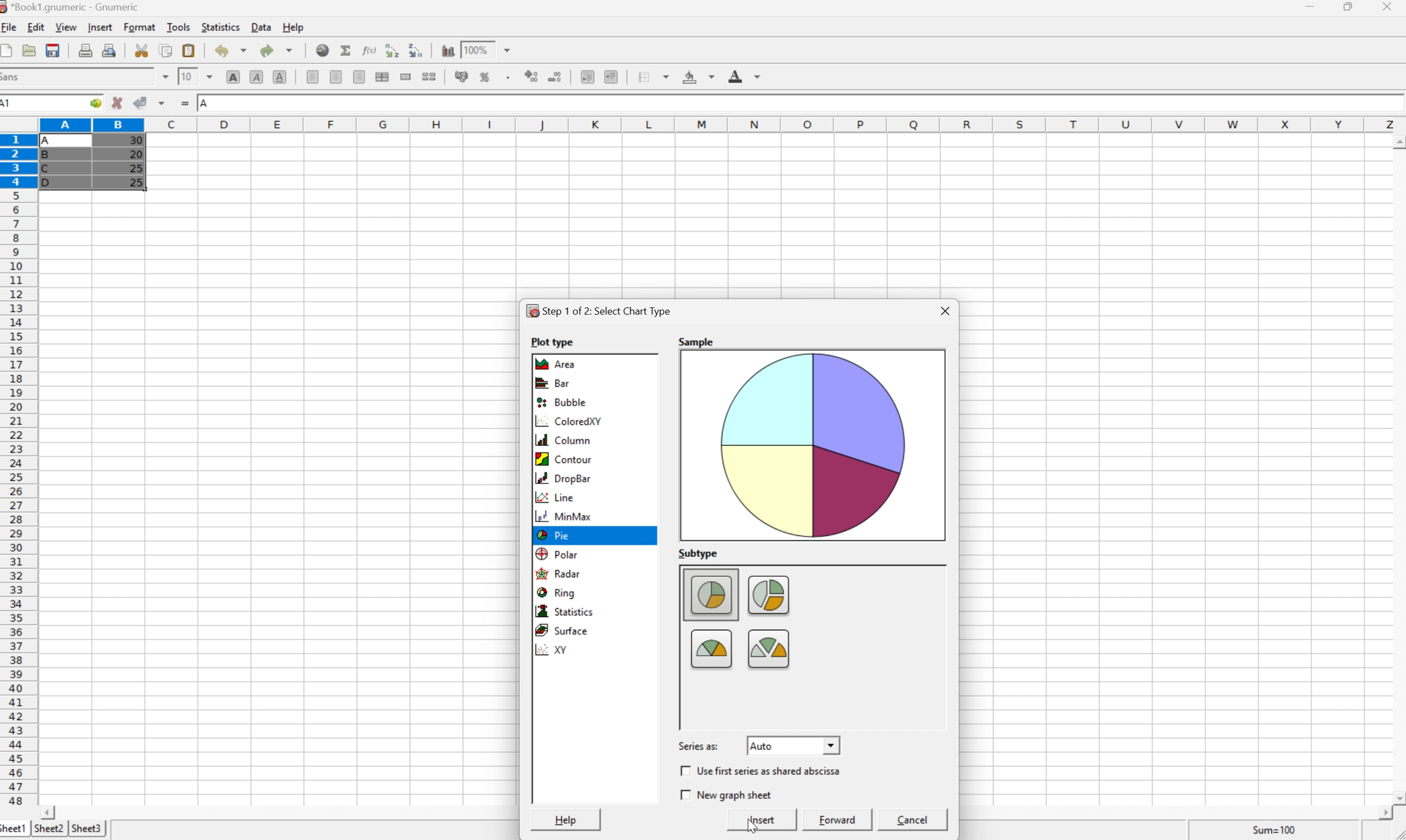 Image resolution: width=1406 pixels, height=840 pixels. What do you see at coordinates (48, 169) in the screenshot?
I see `C` at bounding box center [48, 169].